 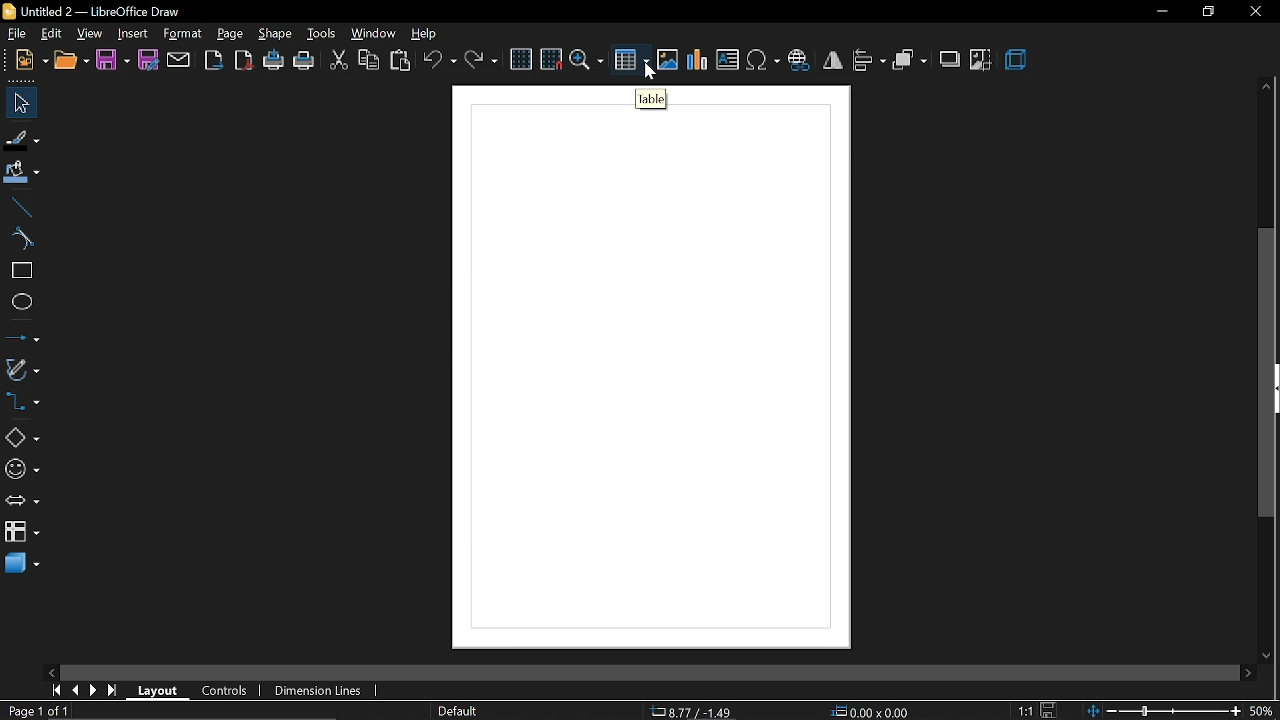 I want to click on help, so click(x=422, y=34).